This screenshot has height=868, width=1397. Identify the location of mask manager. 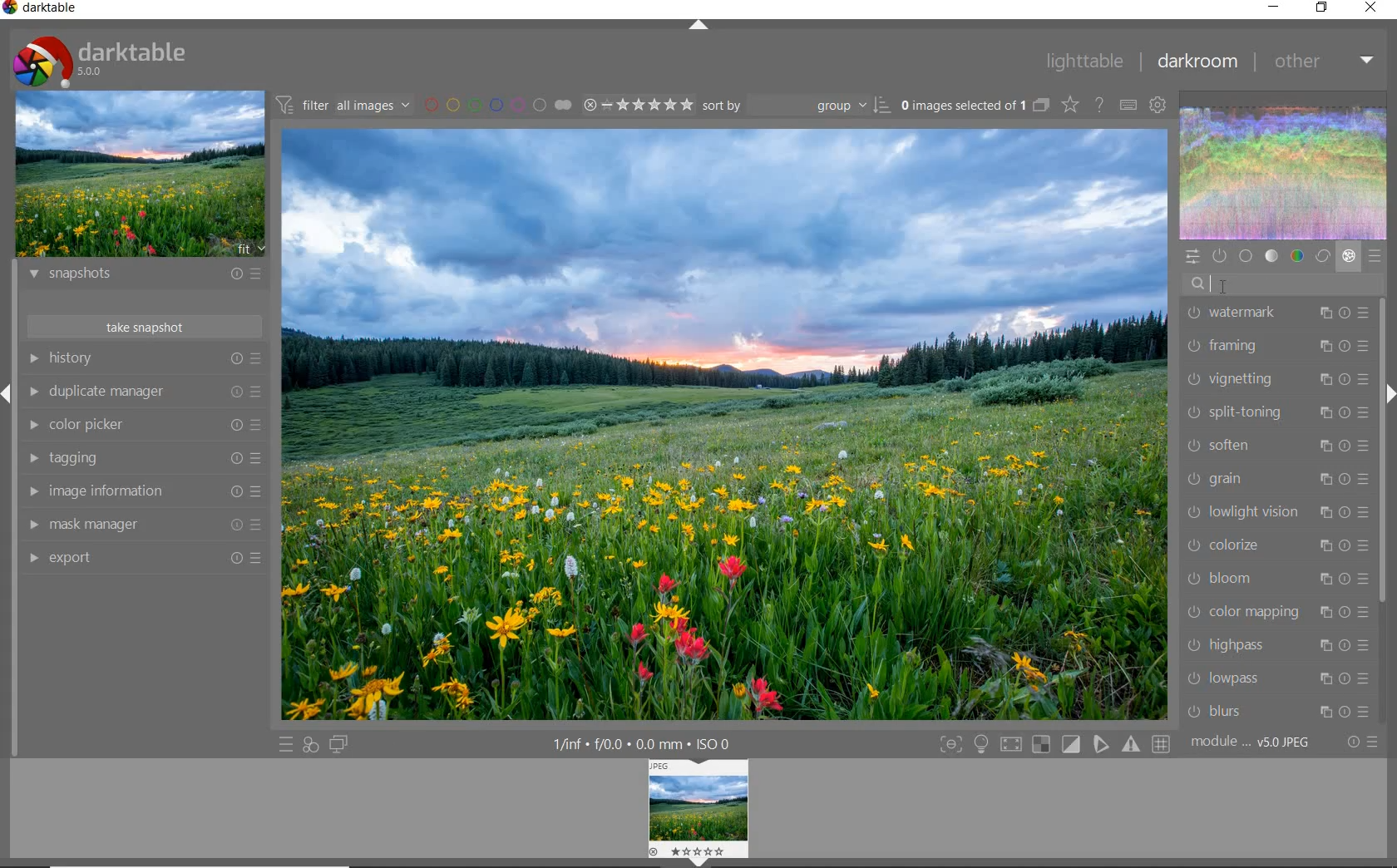
(142, 525).